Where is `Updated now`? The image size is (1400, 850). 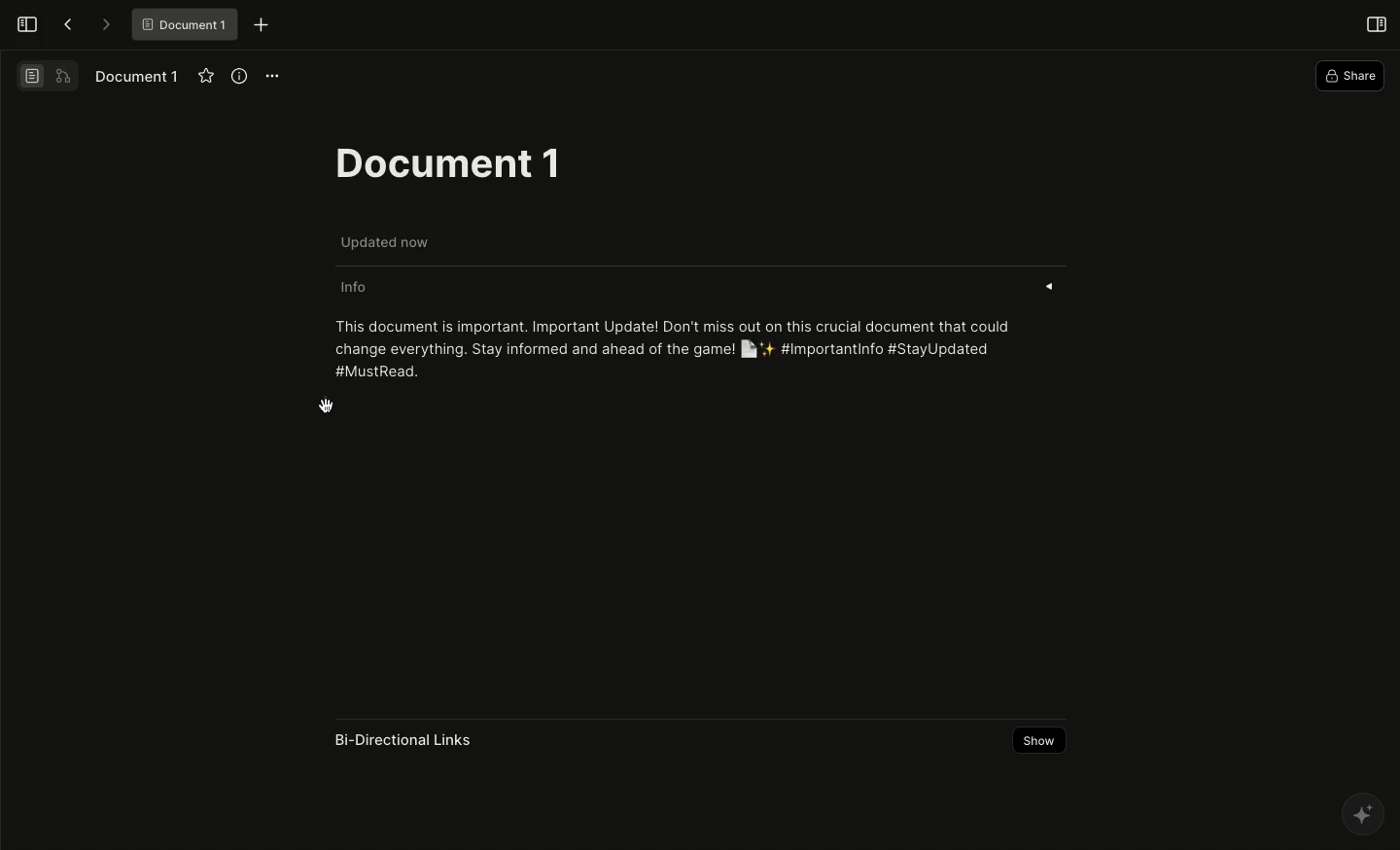
Updated now is located at coordinates (384, 242).